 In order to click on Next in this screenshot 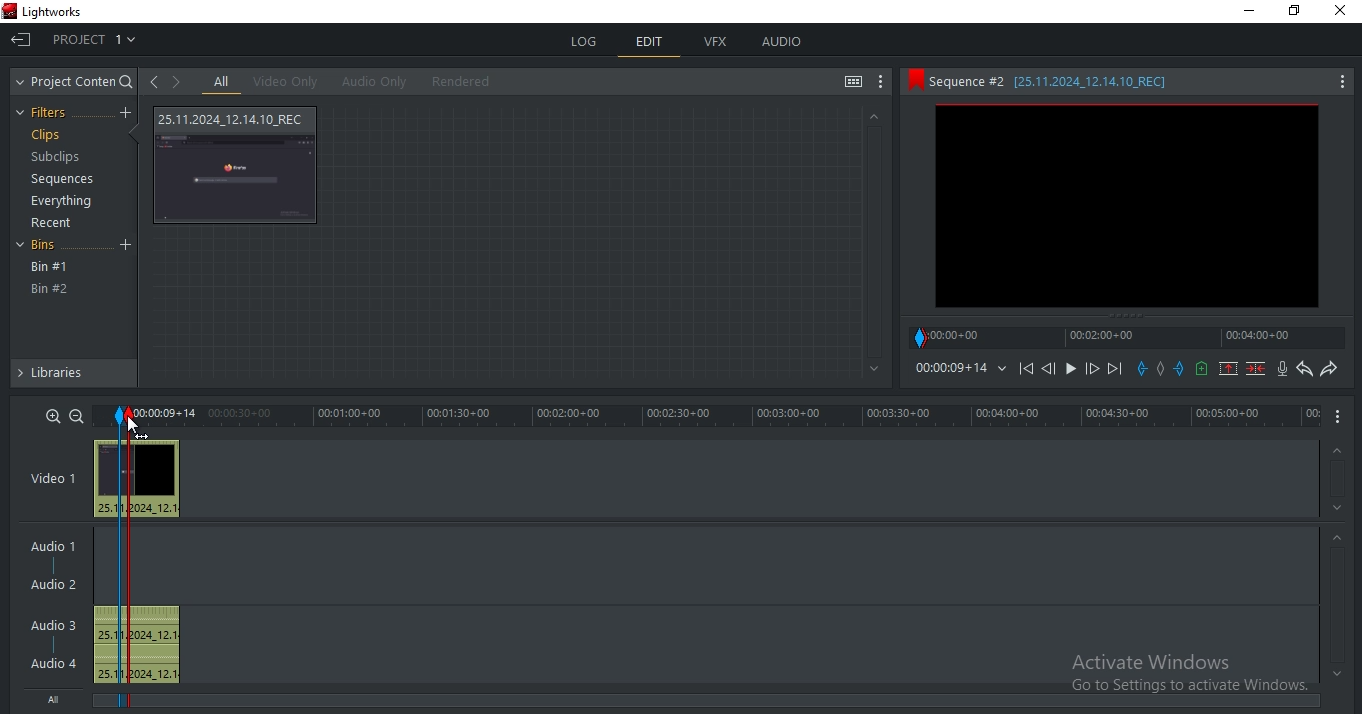, I will do `click(1117, 368)`.